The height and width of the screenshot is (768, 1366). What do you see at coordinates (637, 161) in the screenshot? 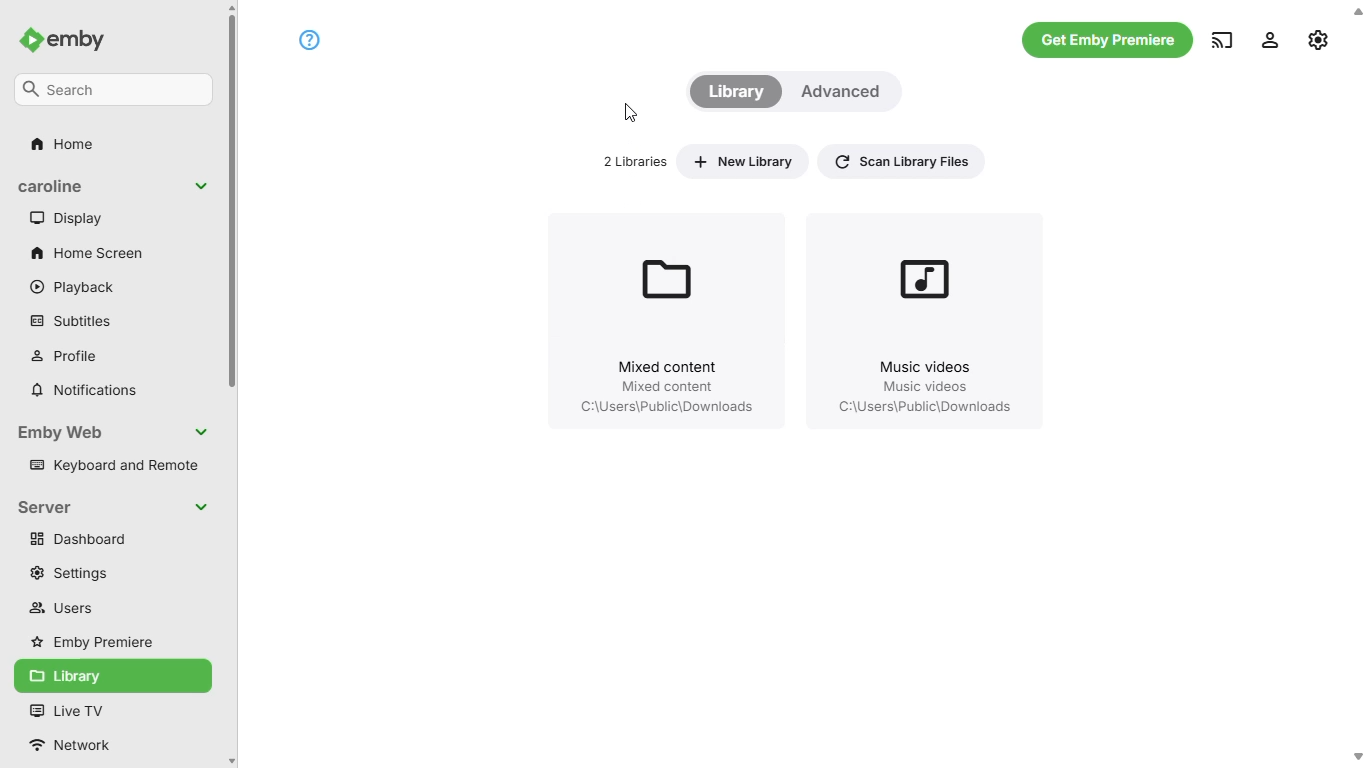
I see `2 libraries` at bounding box center [637, 161].